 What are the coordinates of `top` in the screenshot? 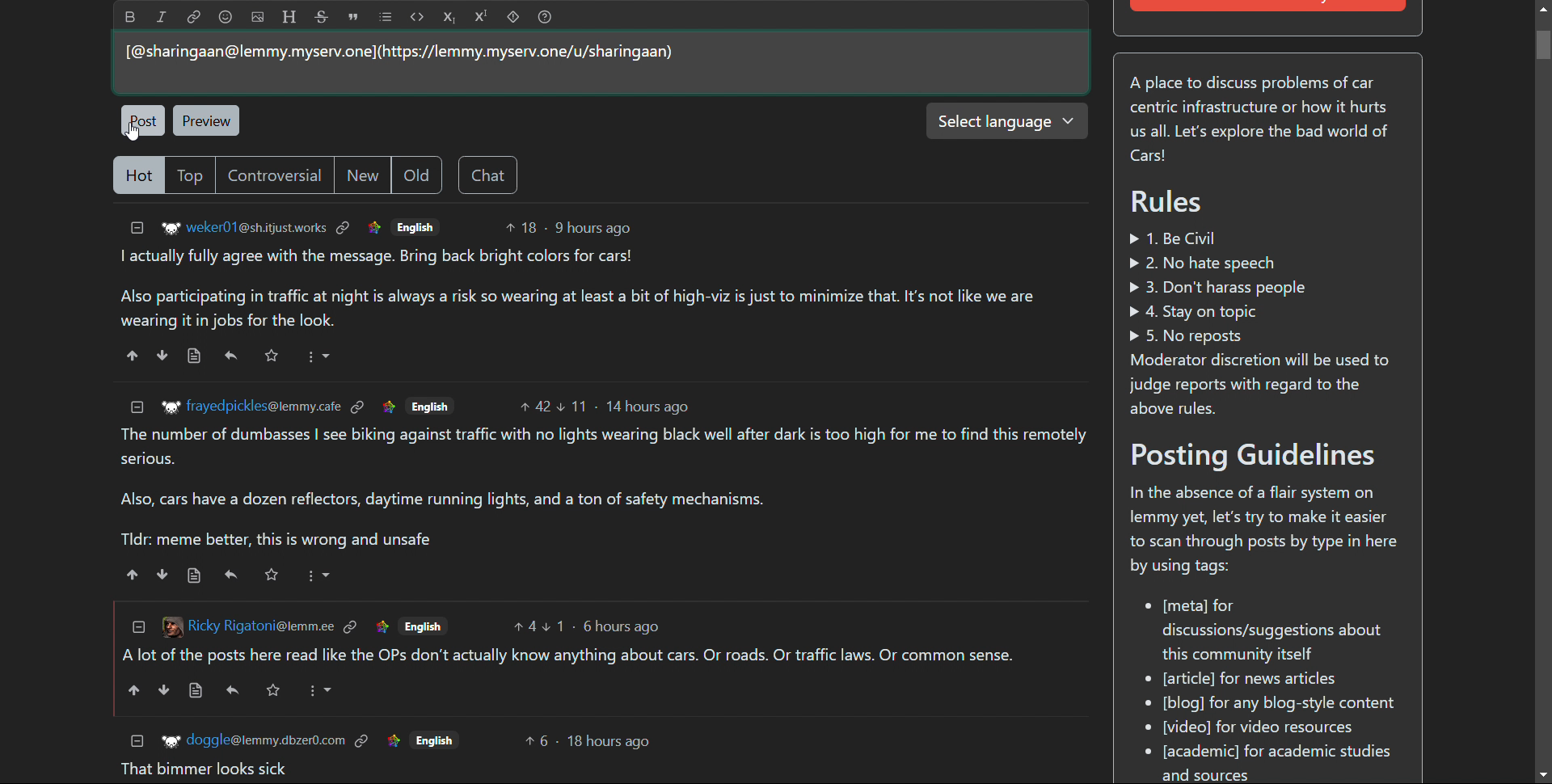 It's located at (189, 175).